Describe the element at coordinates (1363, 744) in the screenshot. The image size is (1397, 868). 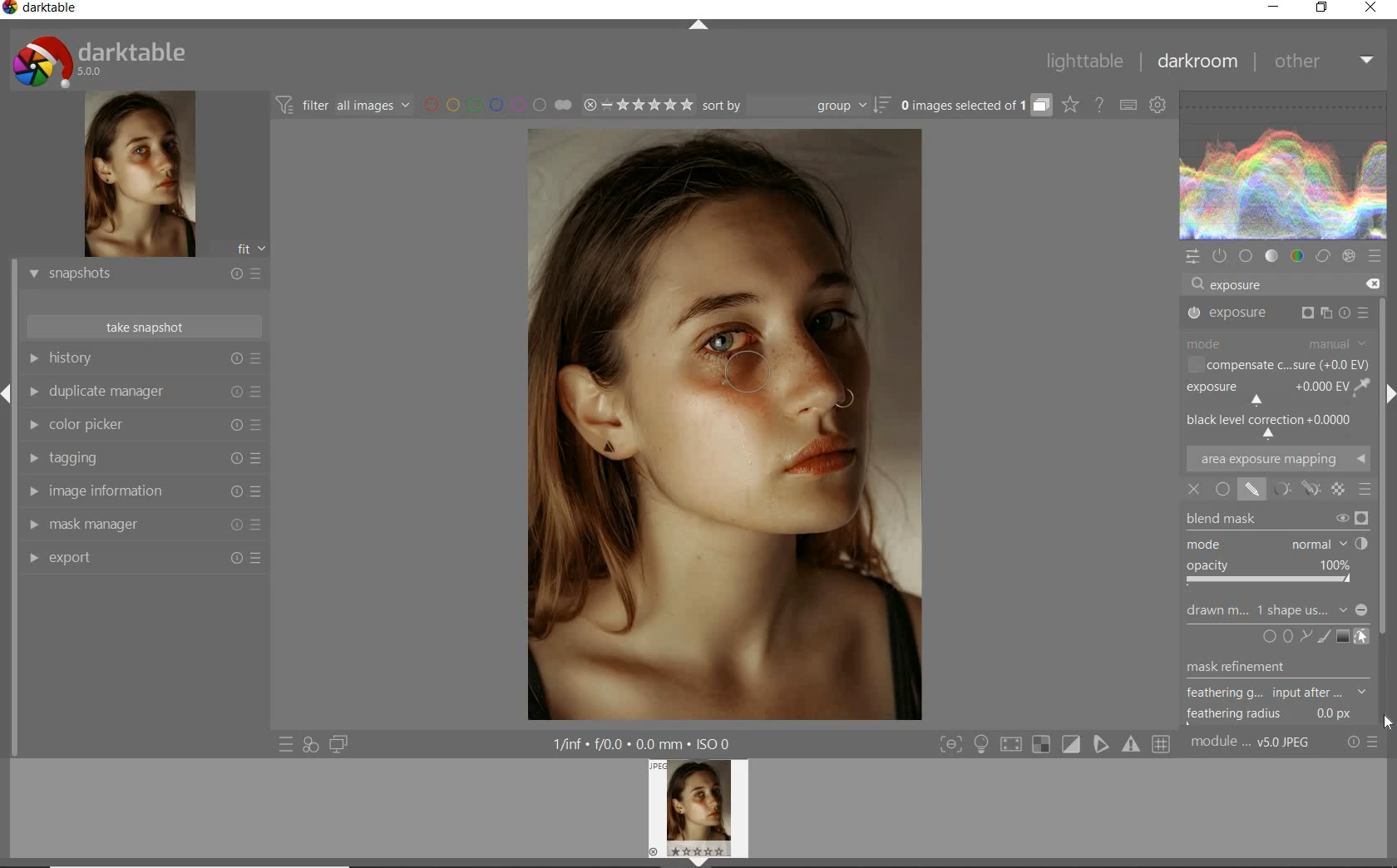
I see `reset or presets & preferences` at that location.